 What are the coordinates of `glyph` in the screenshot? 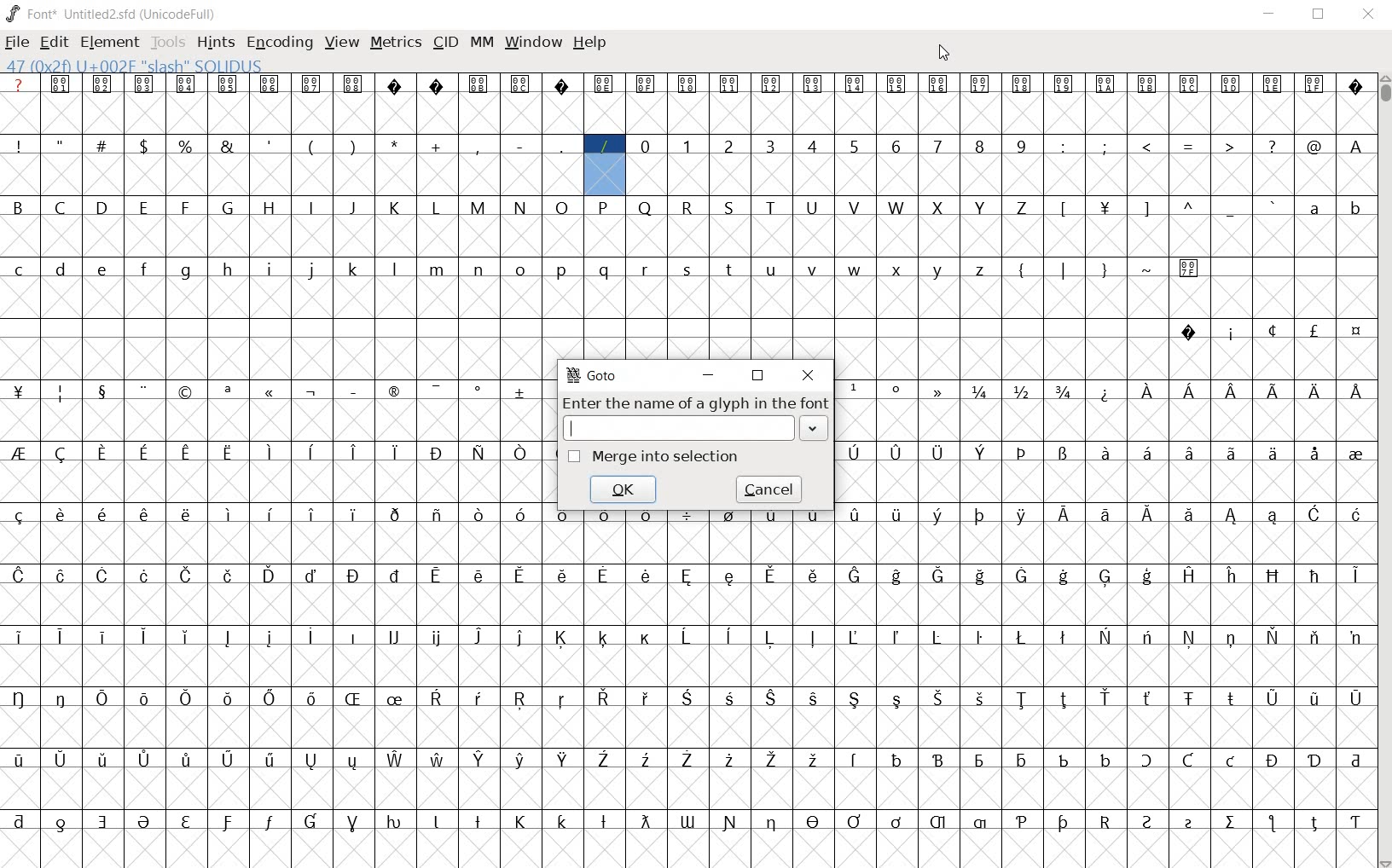 It's located at (562, 86).